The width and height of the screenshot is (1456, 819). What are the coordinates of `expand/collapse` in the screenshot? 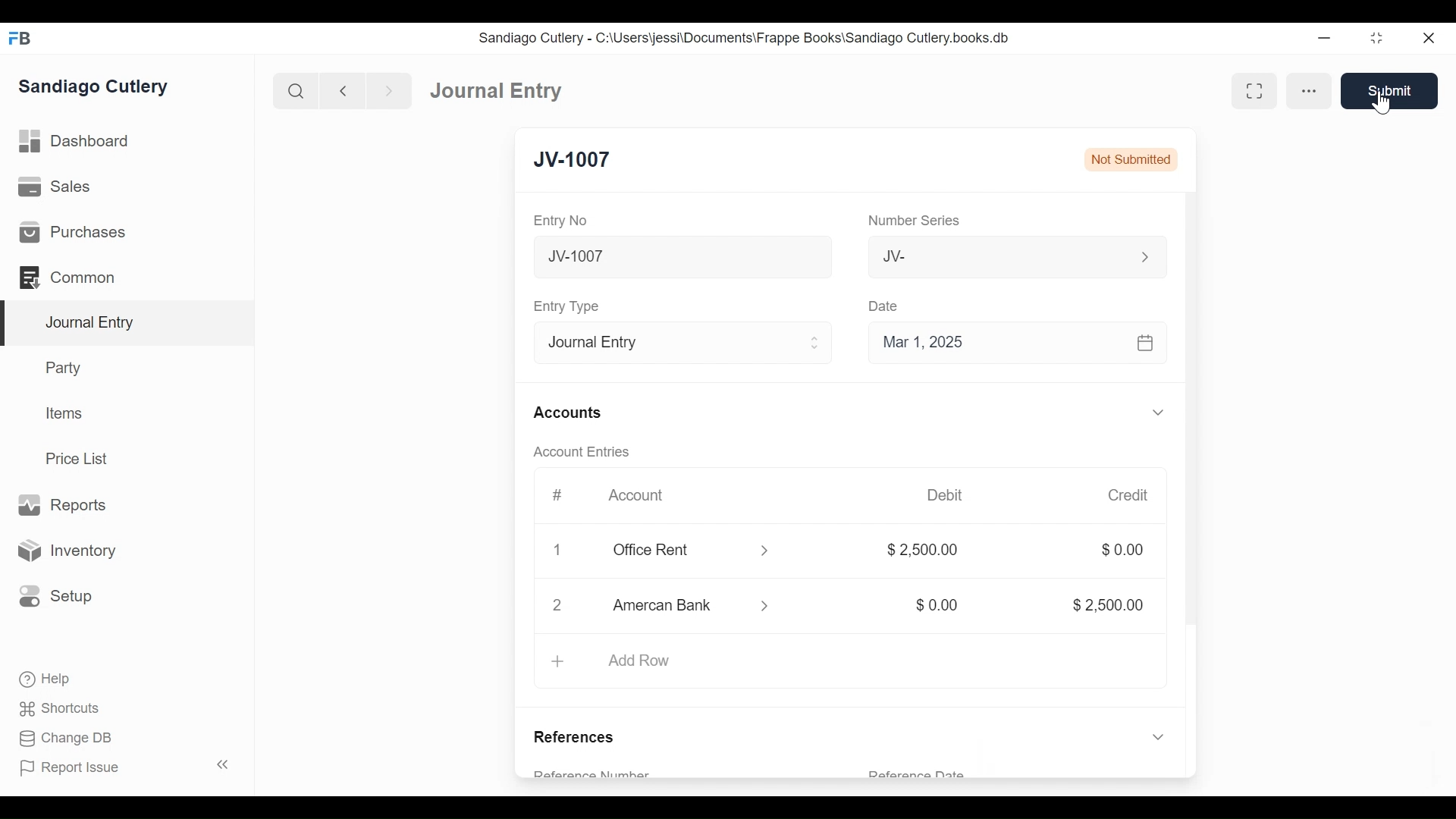 It's located at (1157, 412).